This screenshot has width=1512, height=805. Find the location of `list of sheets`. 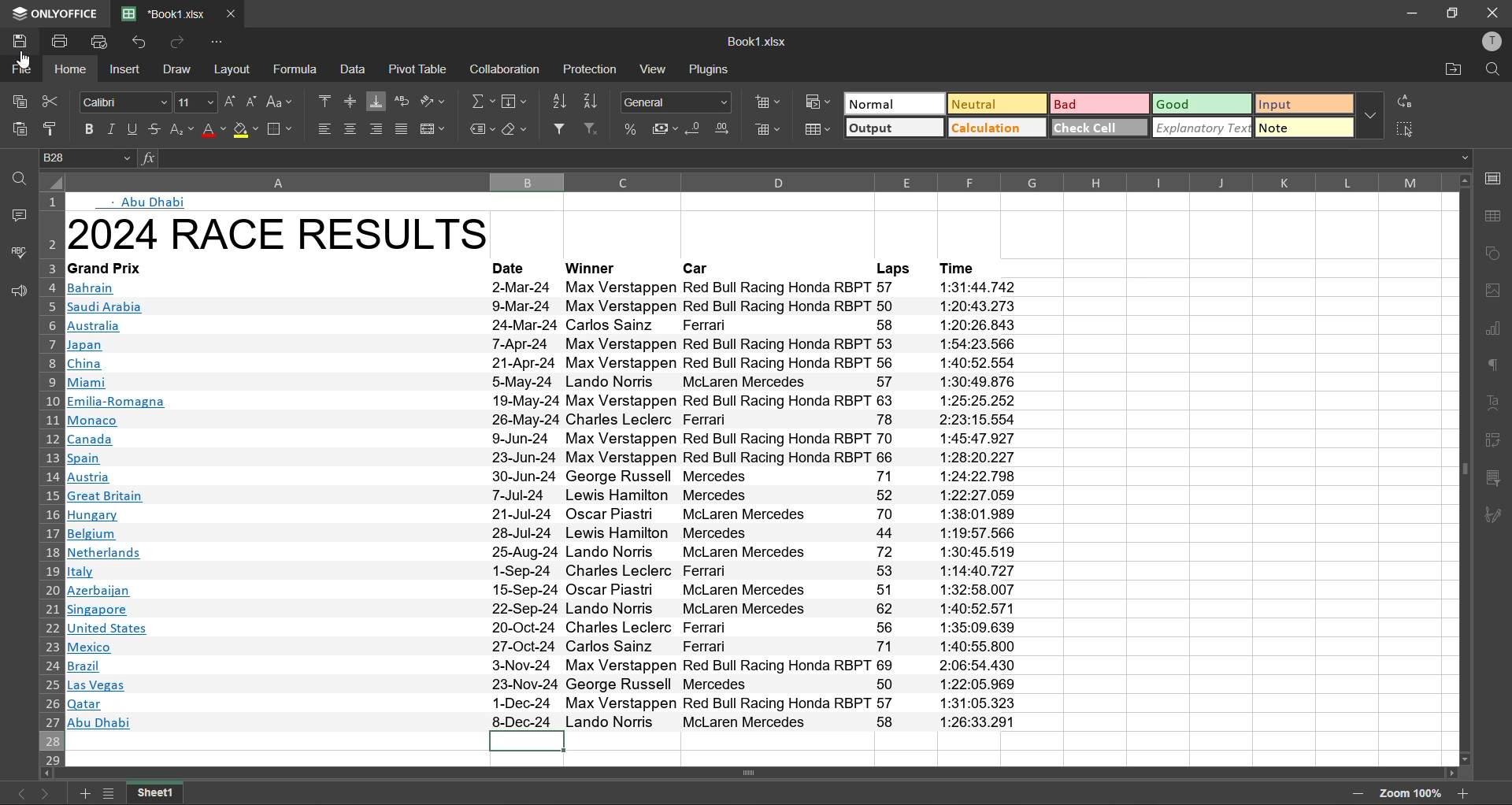

list of sheets is located at coordinates (110, 794).